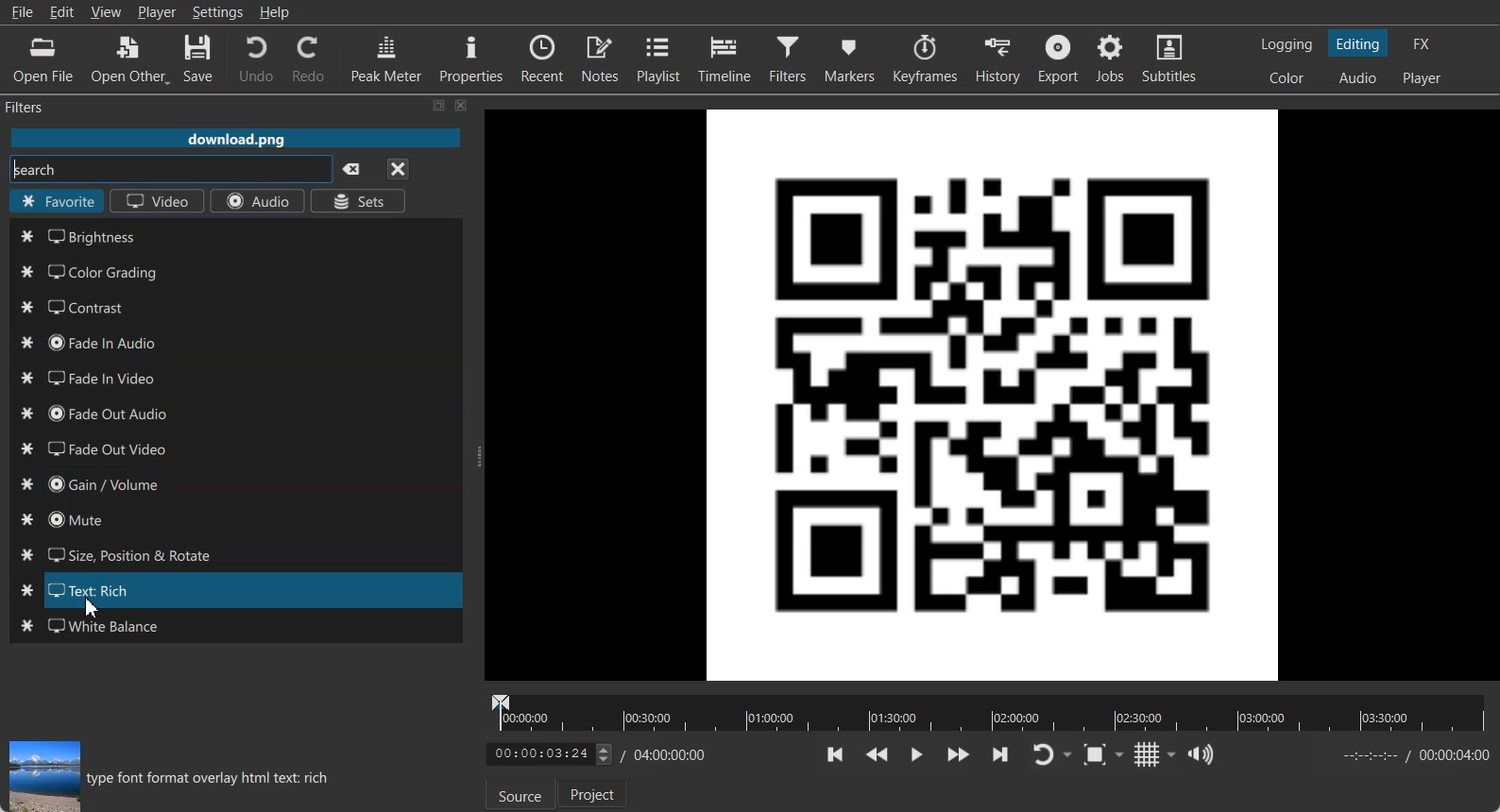 The width and height of the screenshot is (1500, 812). I want to click on Undo, so click(256, 58).